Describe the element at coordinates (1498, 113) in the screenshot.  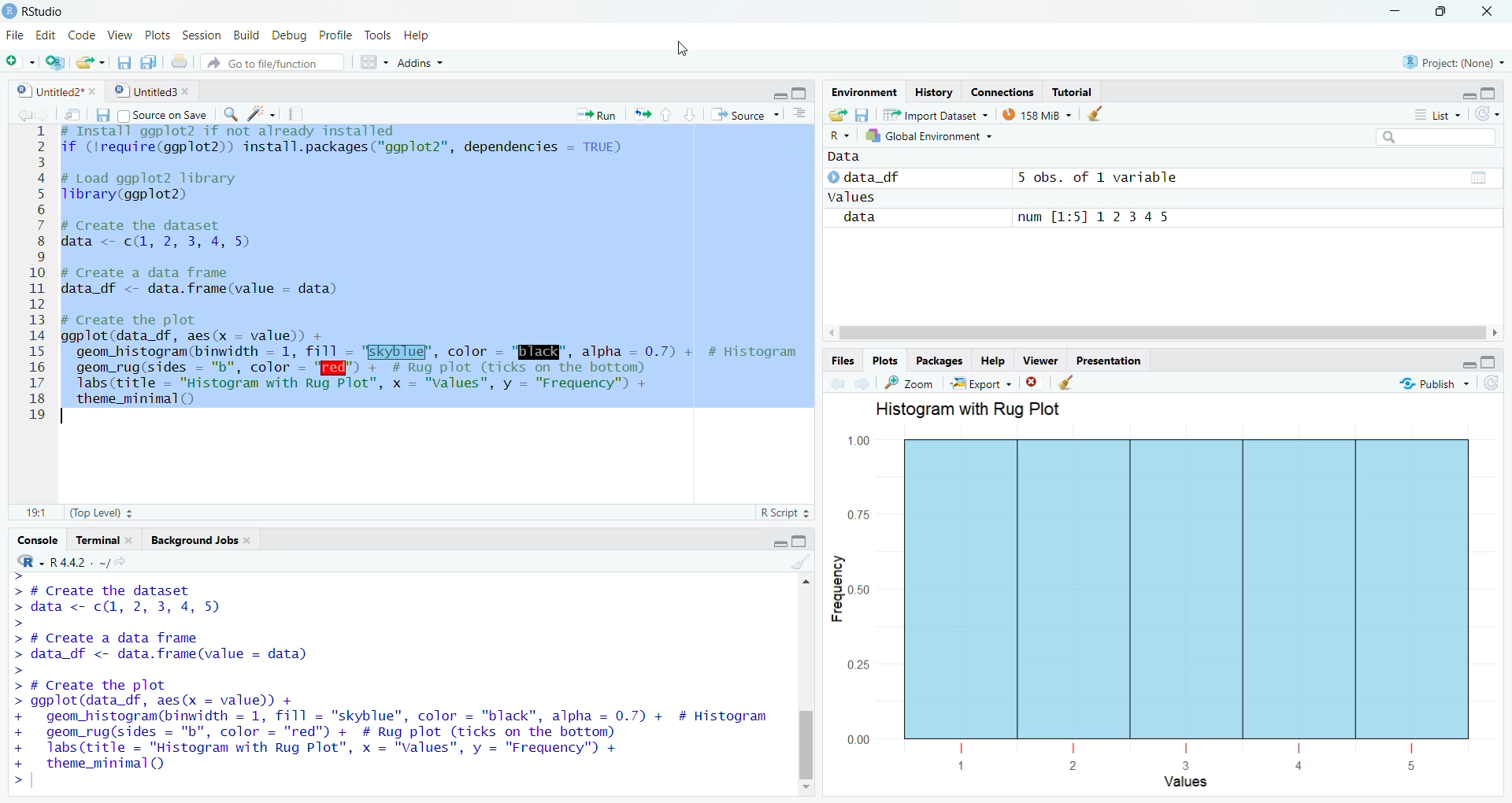
I see `refresh` at that location.